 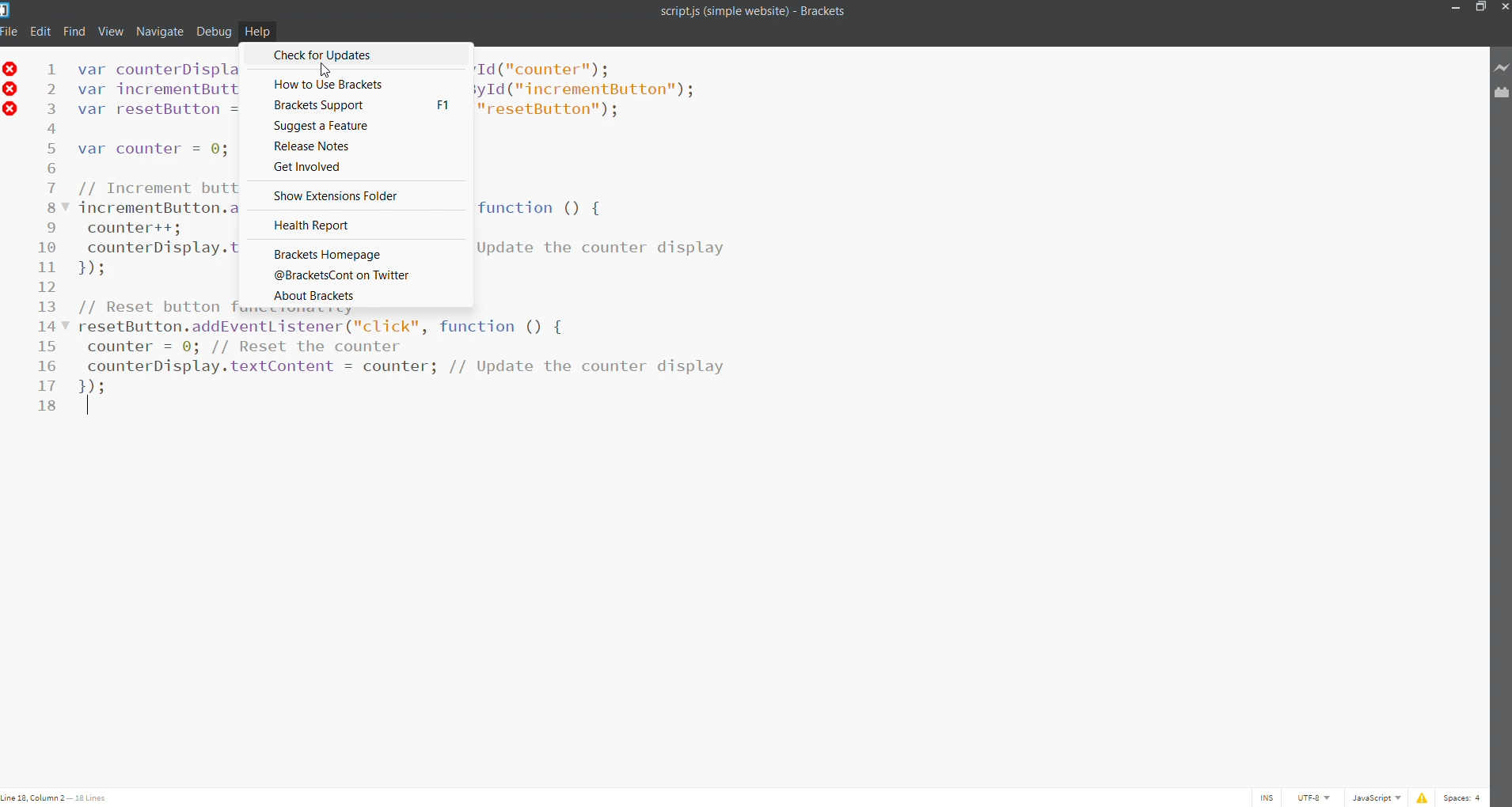 What do you see at coordinates (1464, 798) in the screenshot?
I see `space count ` at bounding box center [1464, 798].